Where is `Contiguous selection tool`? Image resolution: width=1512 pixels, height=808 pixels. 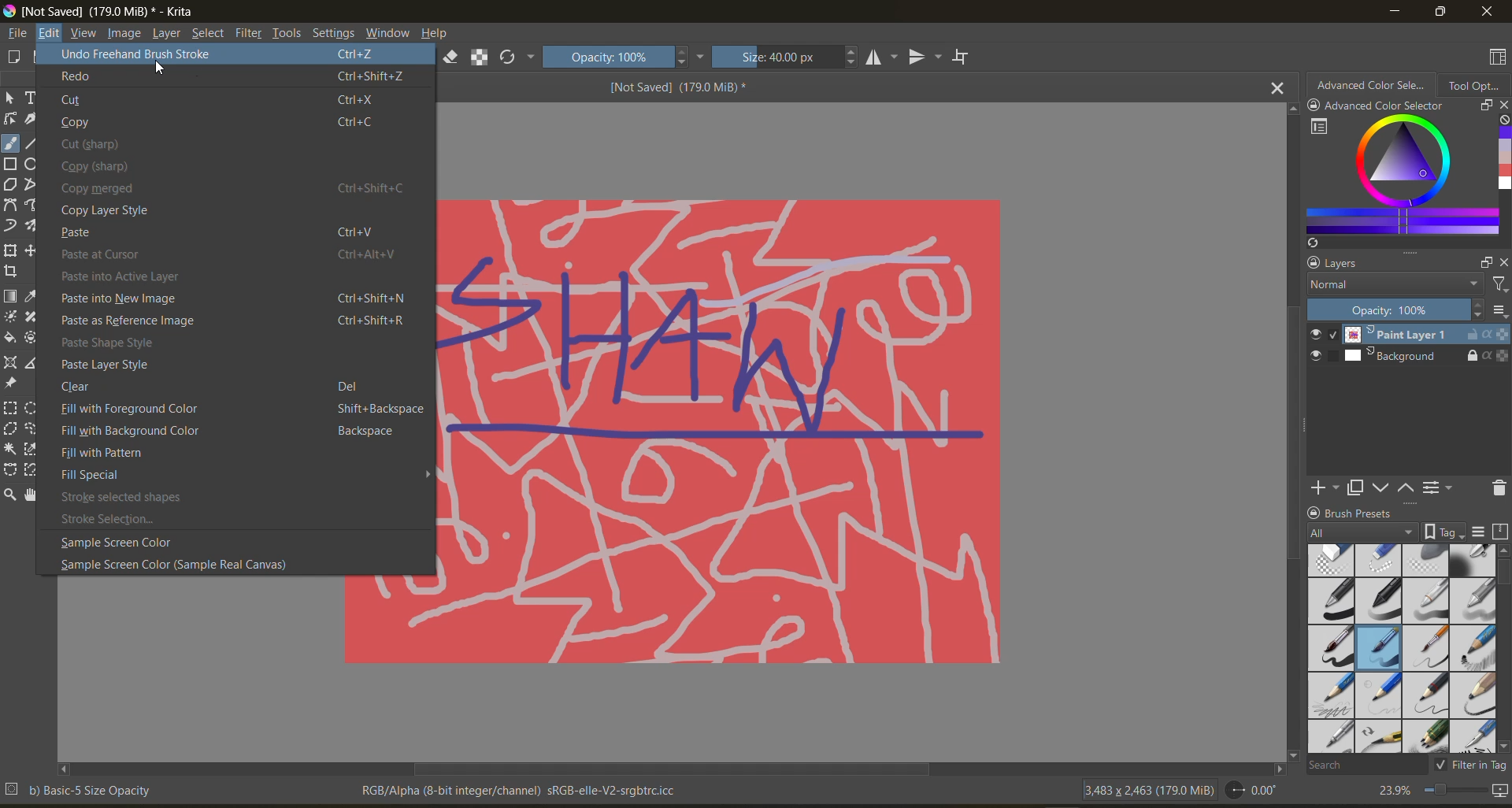 Contiguous selection tool is located at coordinates (10, 449).